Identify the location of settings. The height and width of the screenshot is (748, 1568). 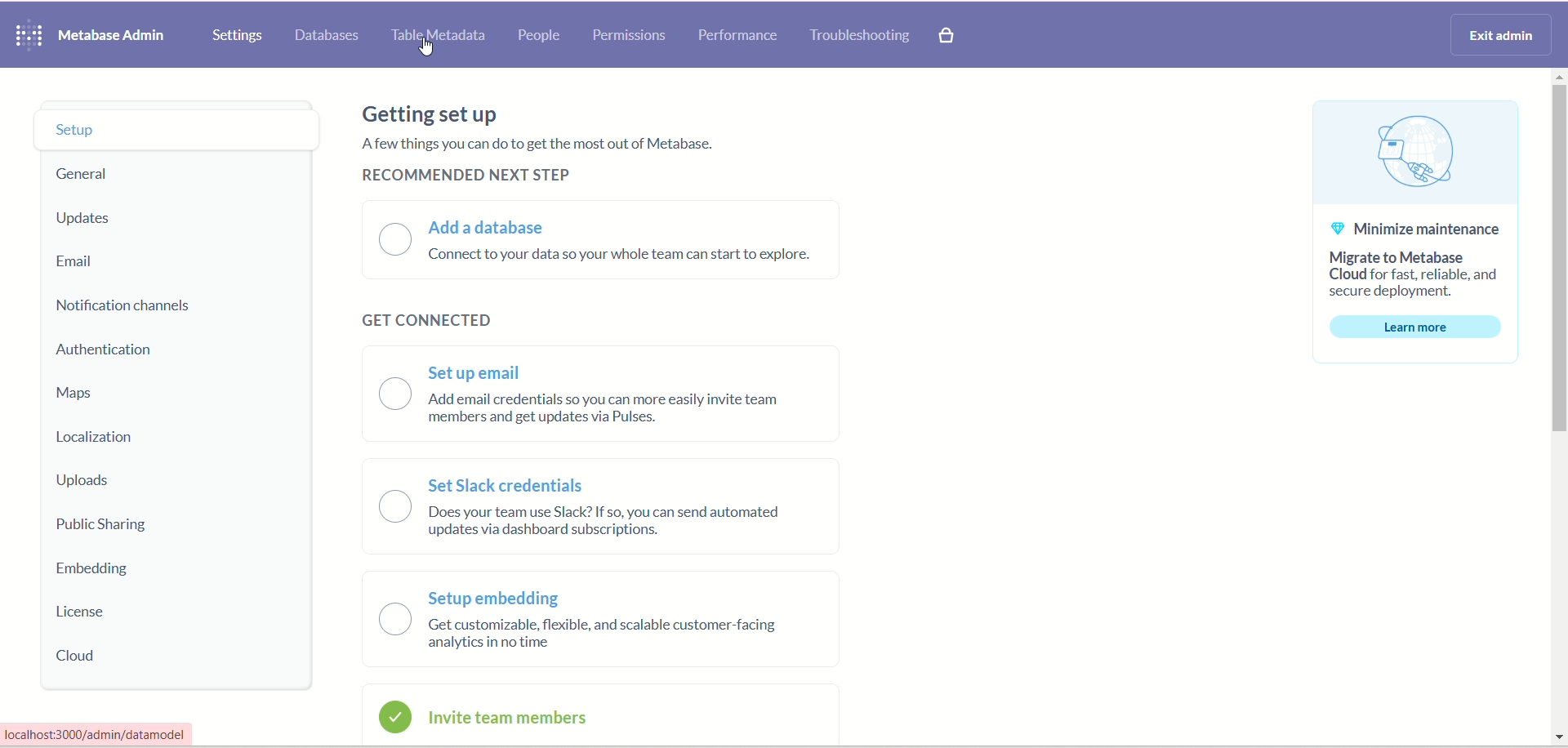
(238, 38).